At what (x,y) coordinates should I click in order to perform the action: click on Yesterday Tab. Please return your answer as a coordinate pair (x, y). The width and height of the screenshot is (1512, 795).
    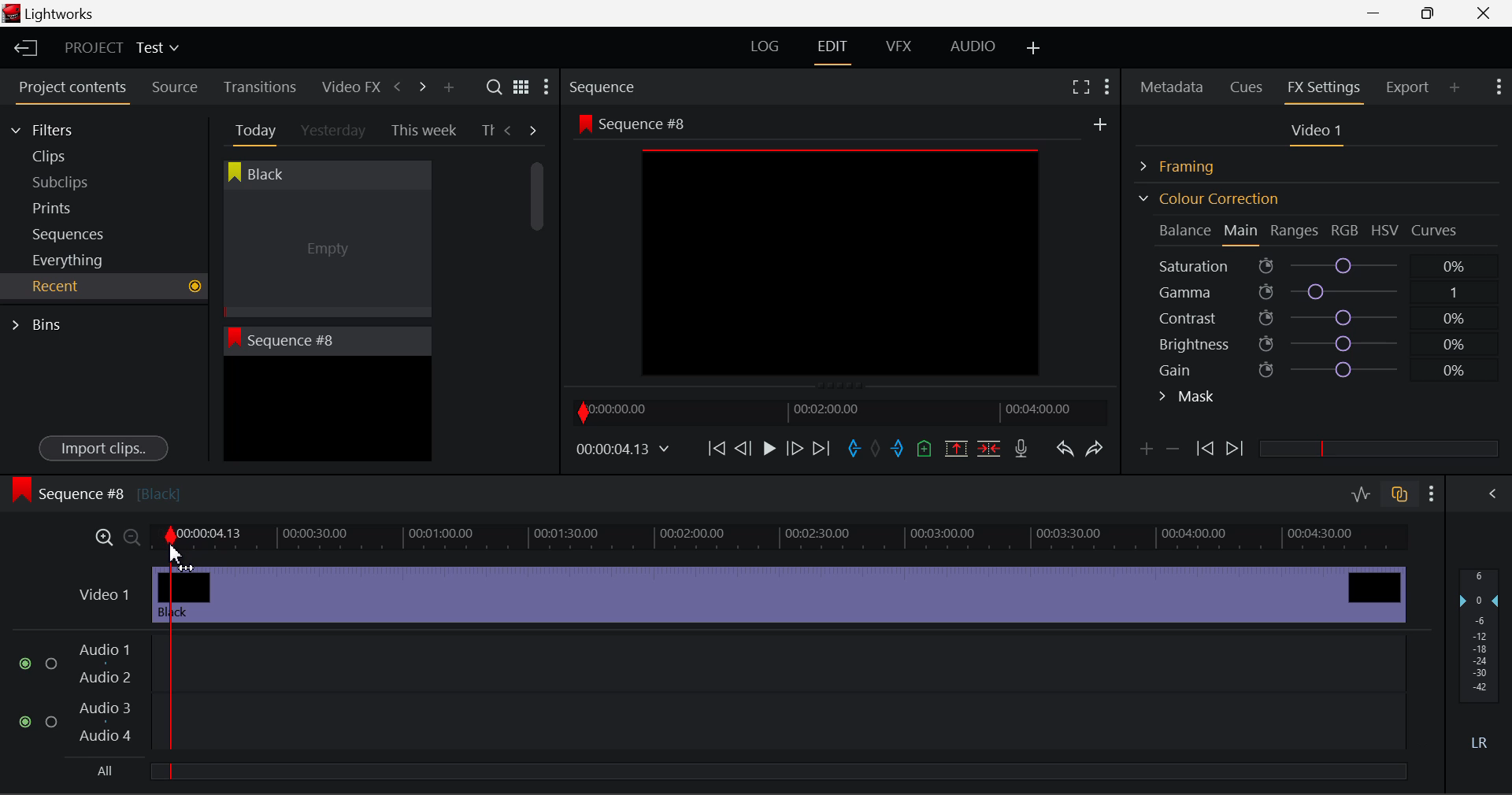
    Looking at the image, I should click on (335, 131).